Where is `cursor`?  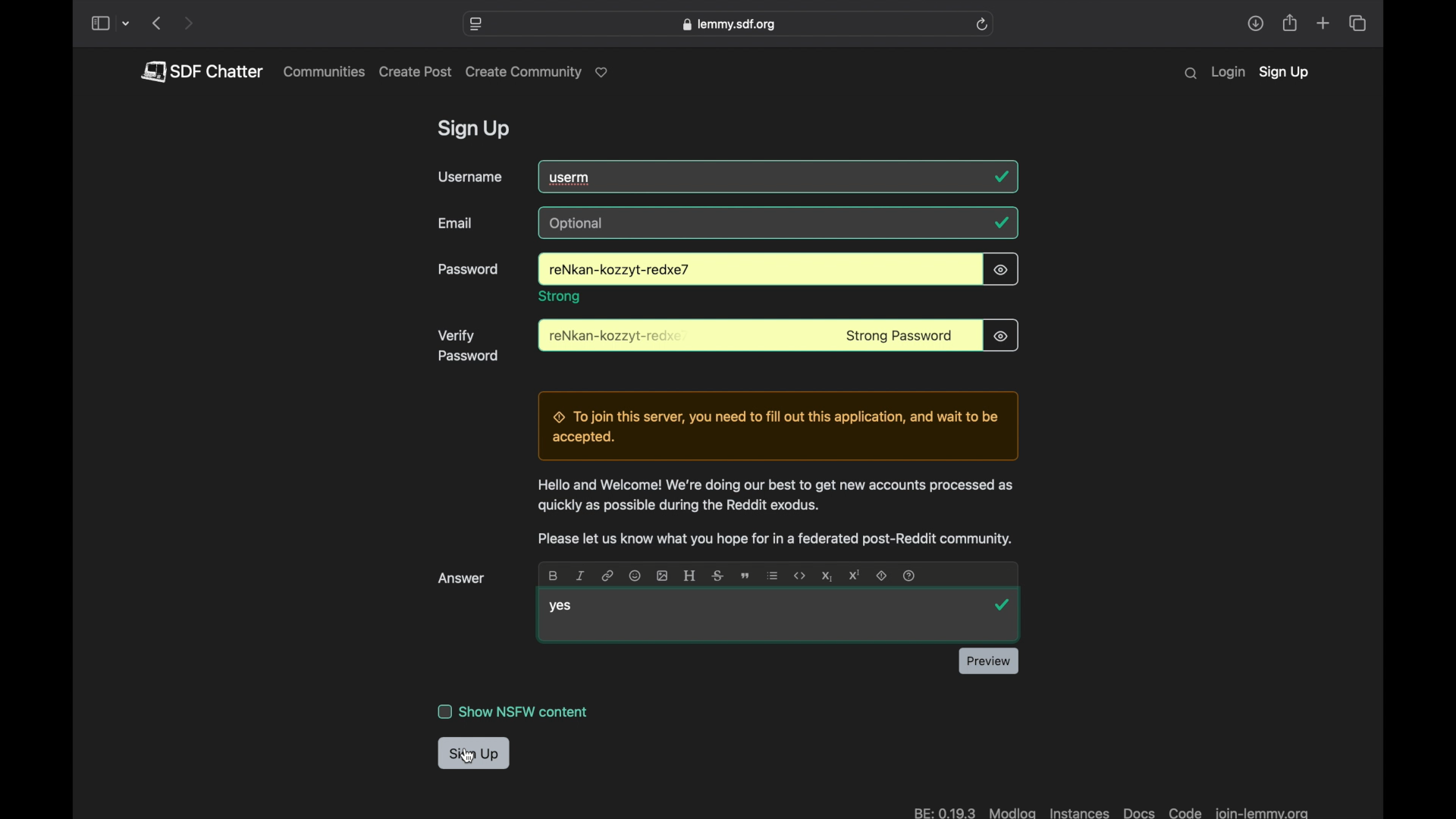 cursor is located at coordinates (469, 755).